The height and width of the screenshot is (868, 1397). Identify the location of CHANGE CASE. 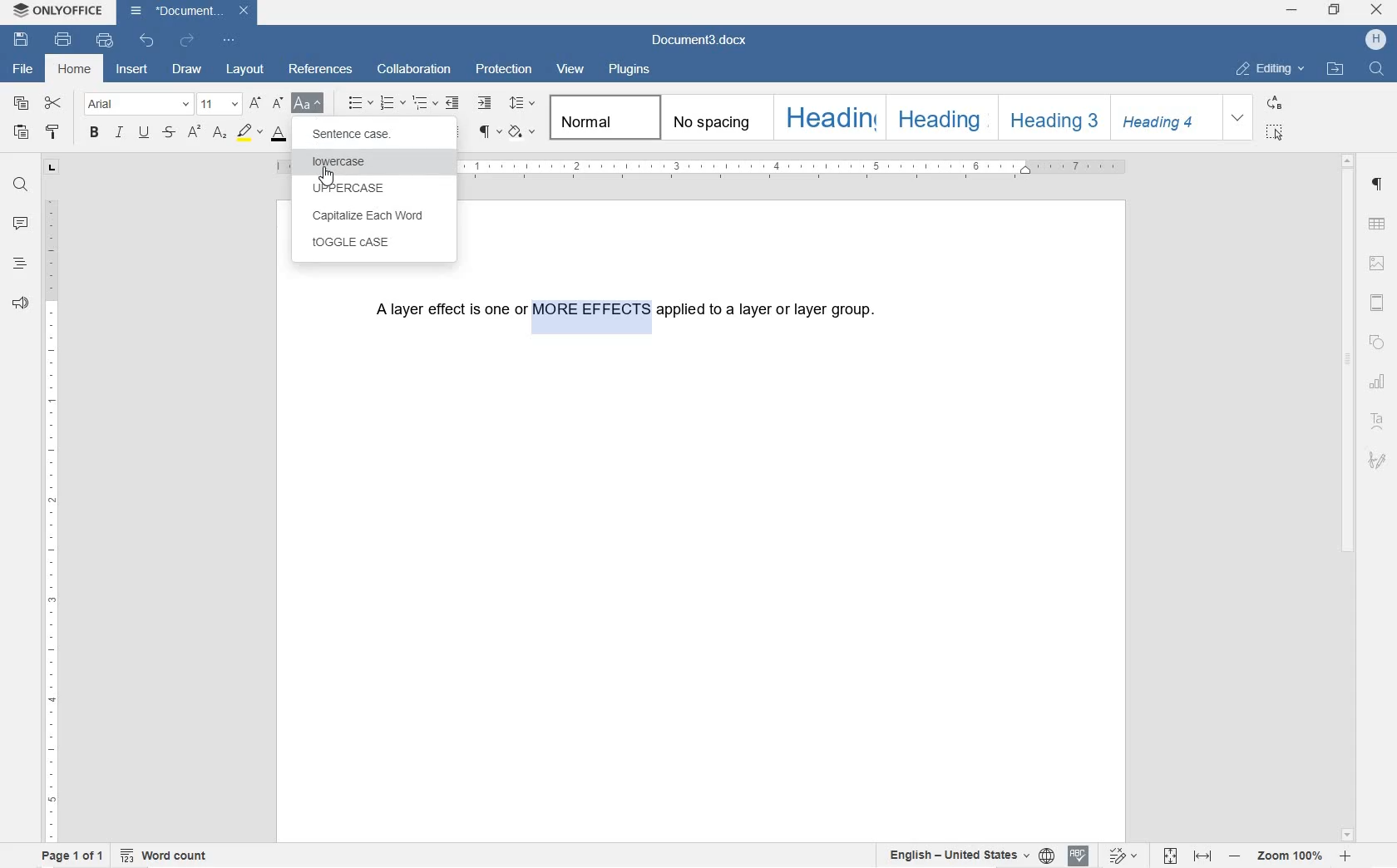
(309, 104).